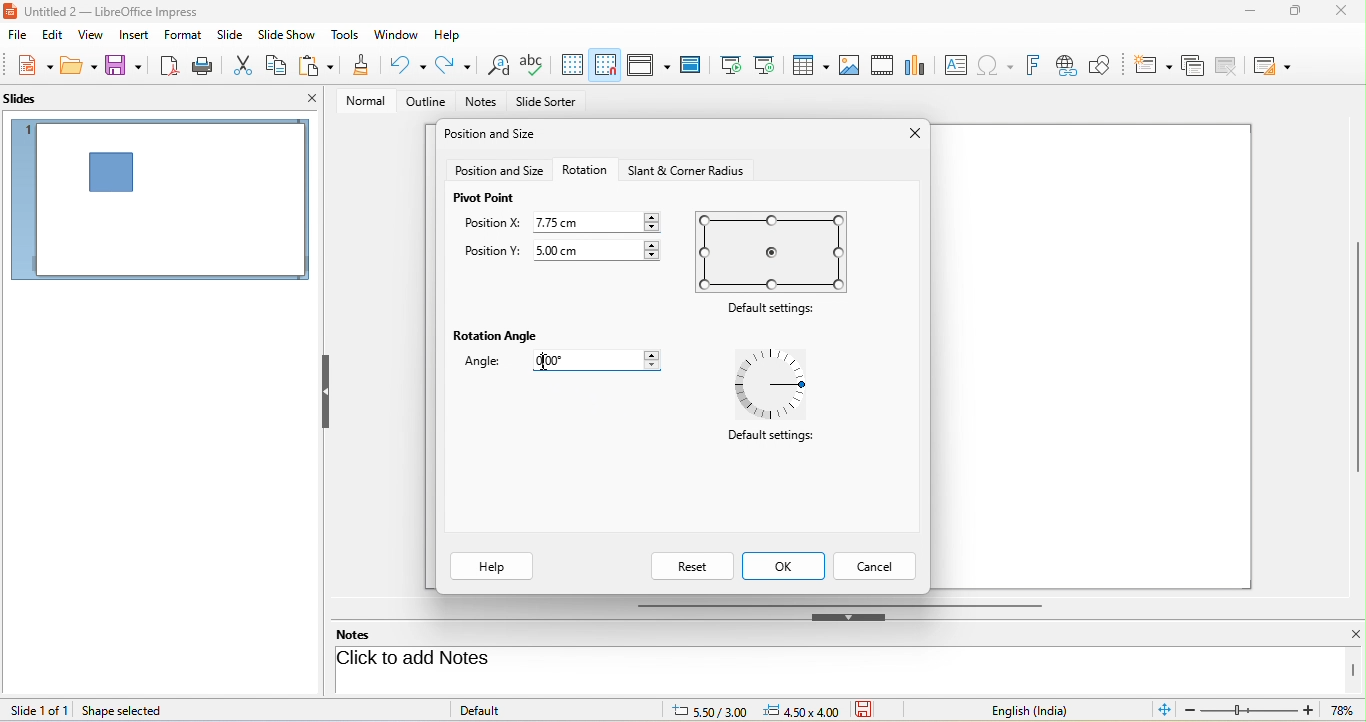  Describe the element at coordinates (1232, 66) in the screenshot. I see `delete slide` at that location.